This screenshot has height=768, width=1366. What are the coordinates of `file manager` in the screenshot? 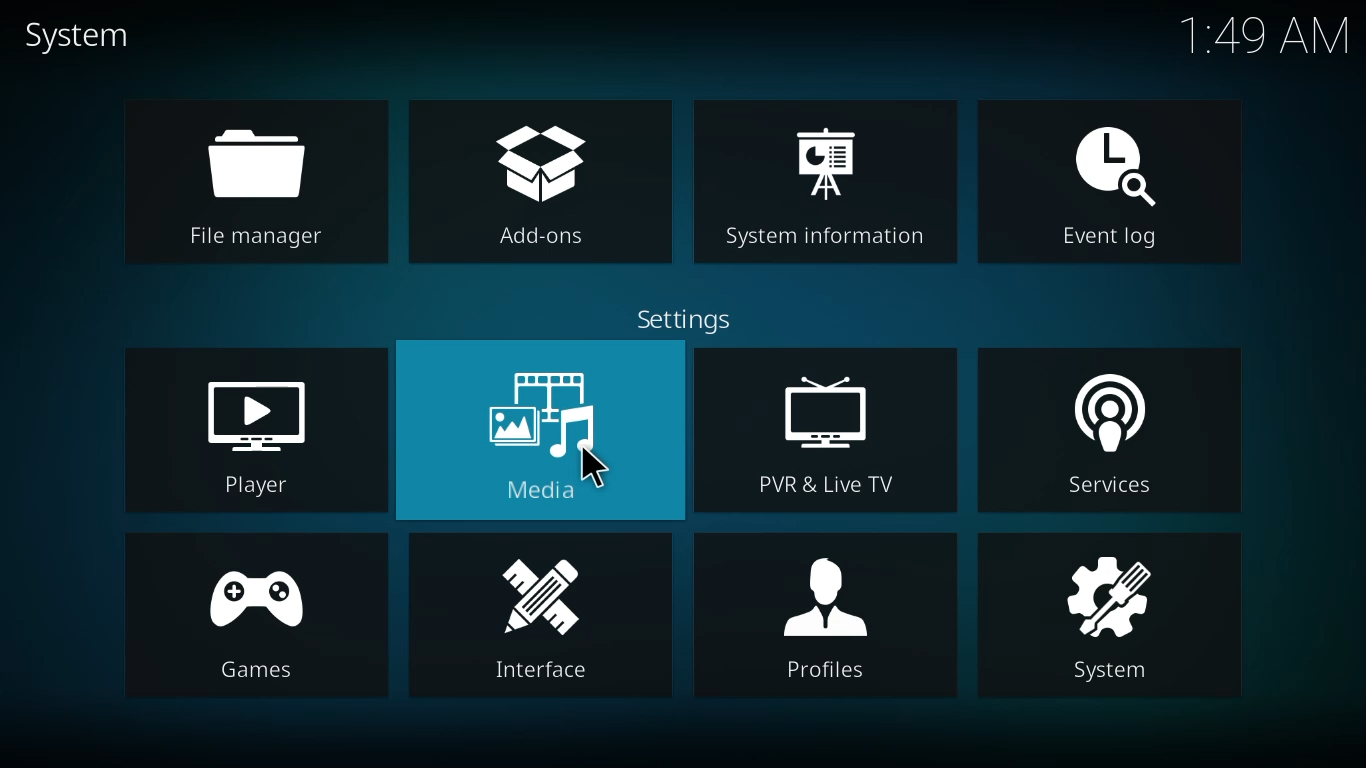 It's located at (260, 179).